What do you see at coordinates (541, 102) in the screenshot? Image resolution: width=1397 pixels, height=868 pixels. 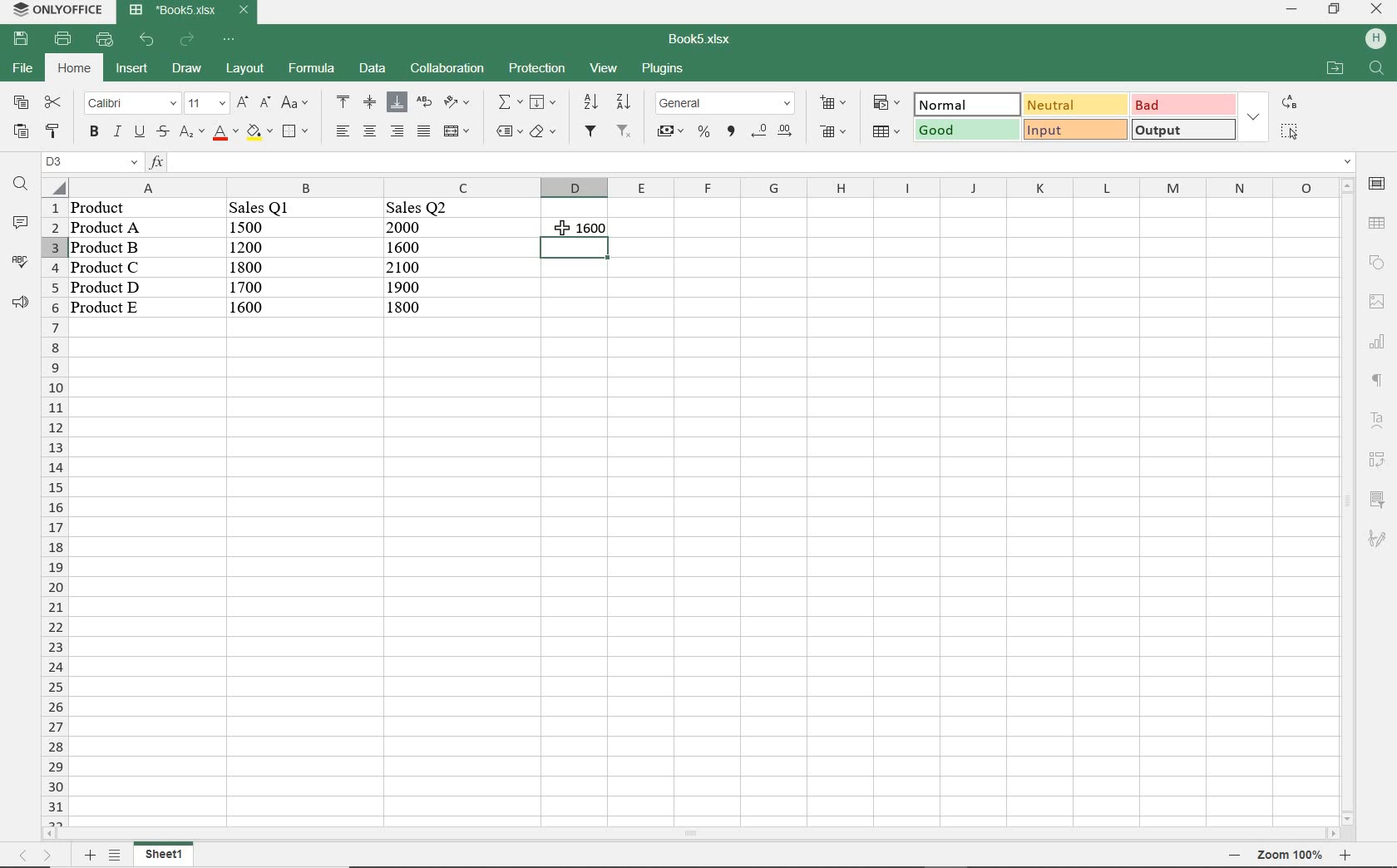 I see `fill` at bounding box center [541, 102].